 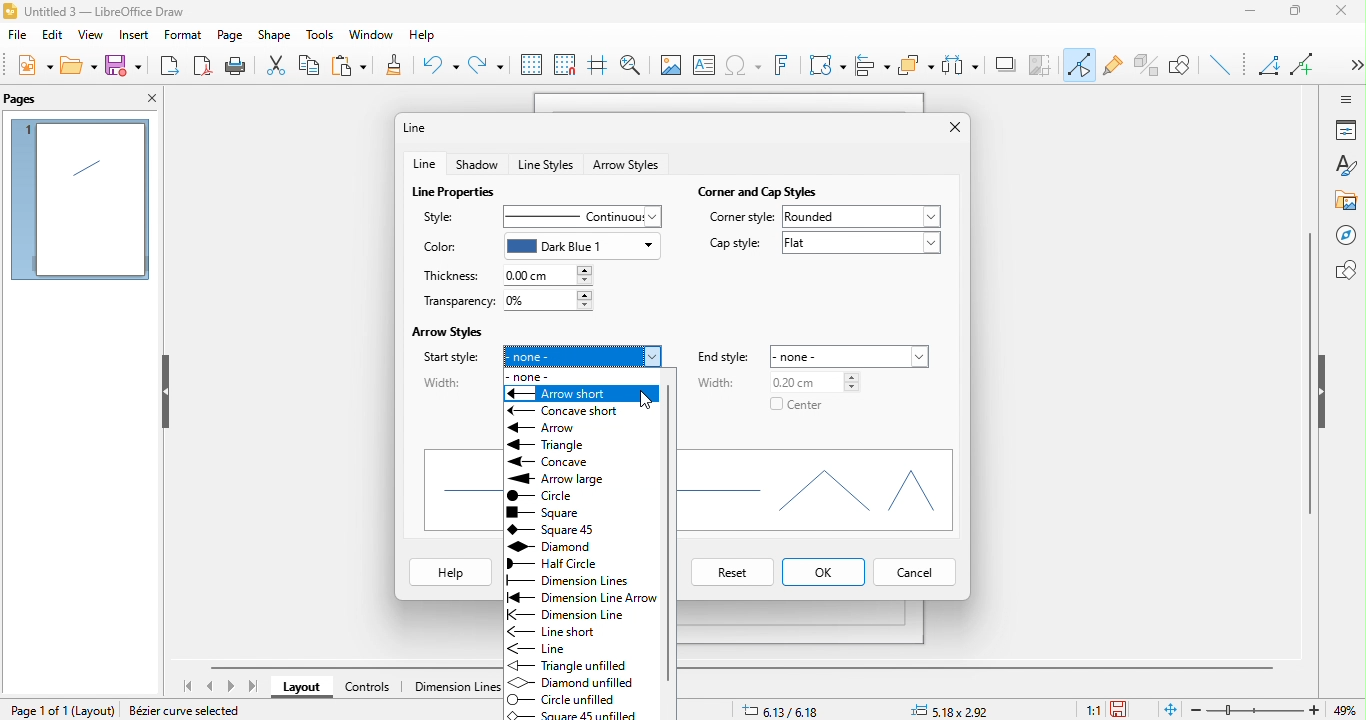 What do you see at coordinates (236, 66) in the screenshot?
I see `print` at bounding box center [236, 66].